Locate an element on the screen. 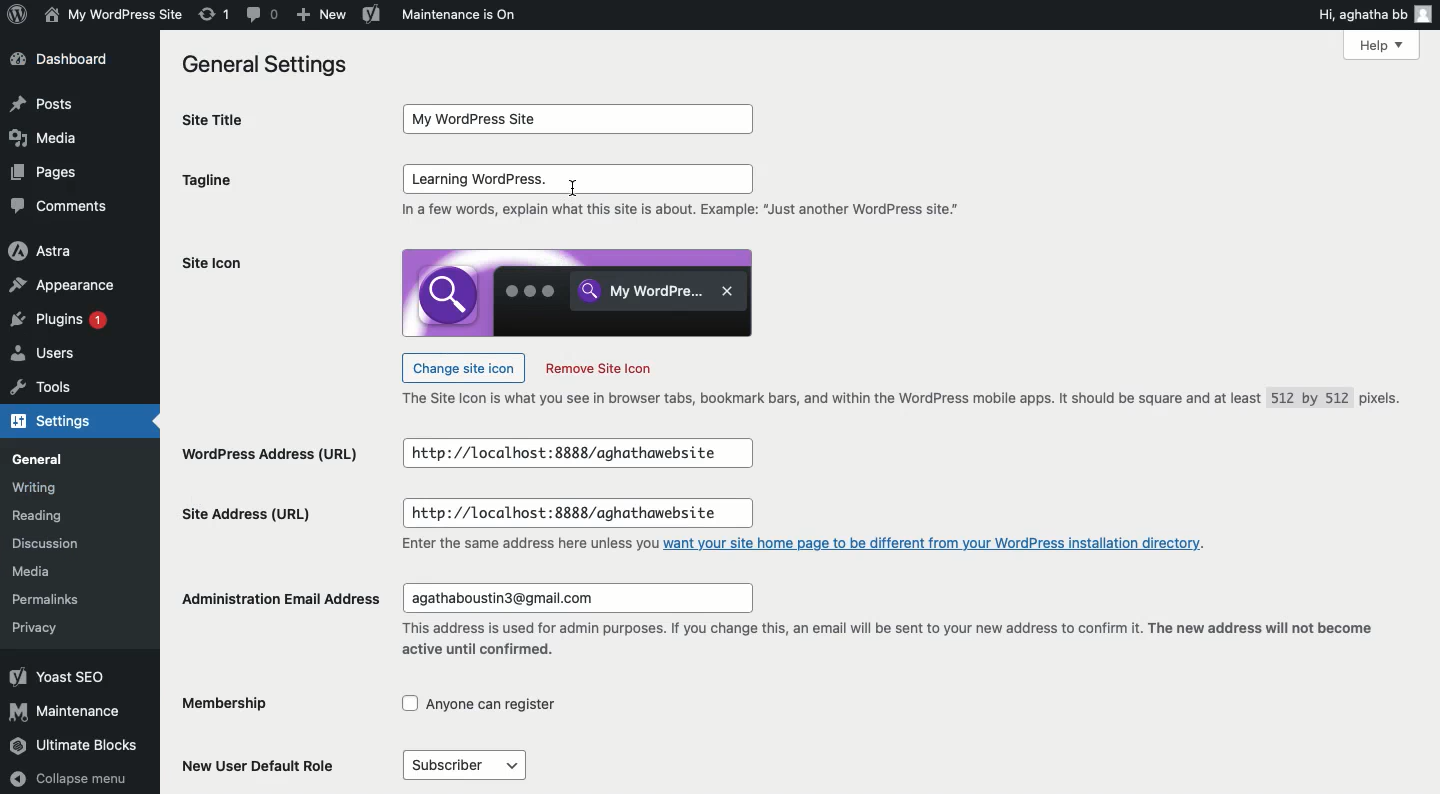 This screenshot has width=1440, height=794. Wordpress address is located at coordinates (269, 456).